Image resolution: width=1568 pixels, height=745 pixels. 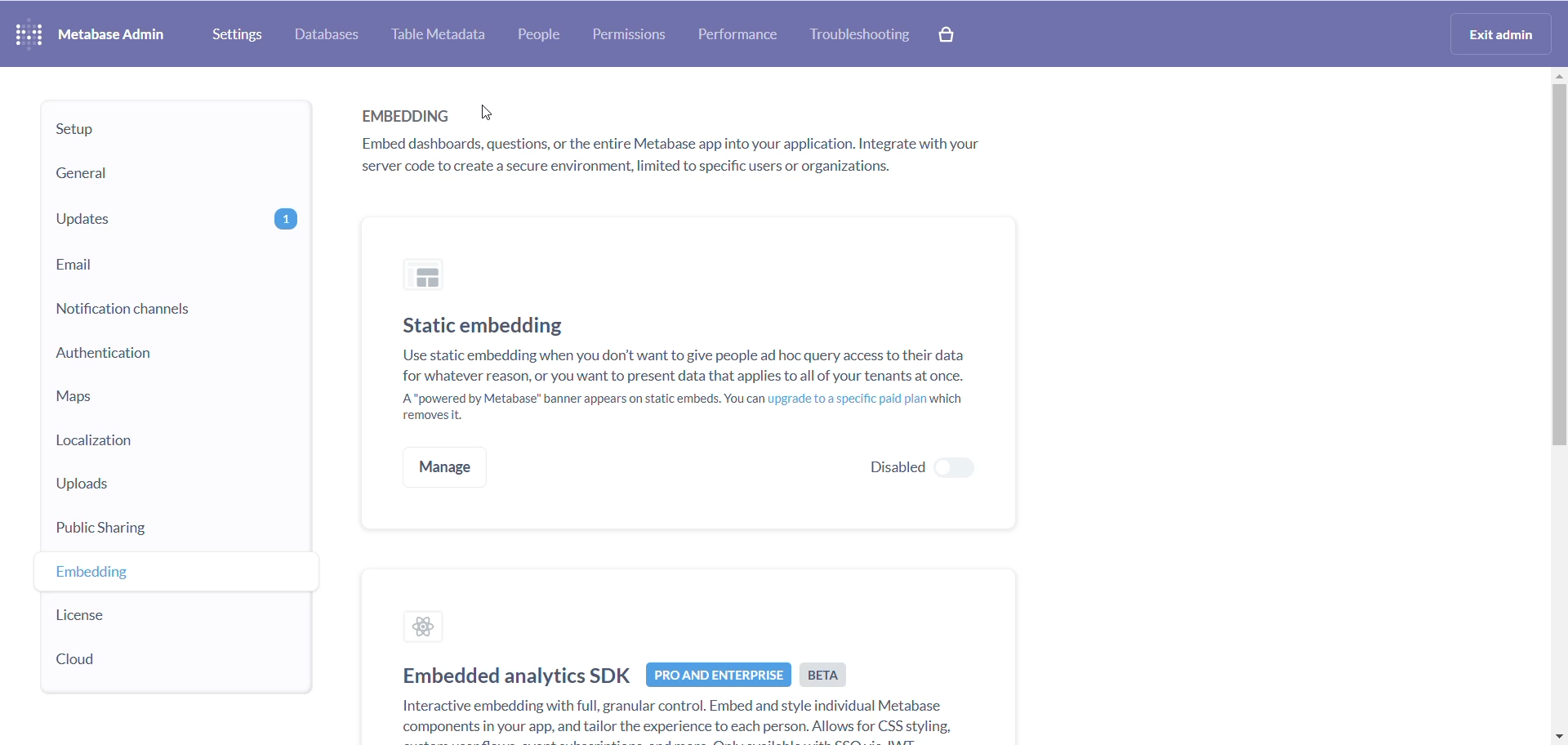 What do you see at coordinates (170, 266) in the screenshot?
I see `email` at bounding box center [170, 266].